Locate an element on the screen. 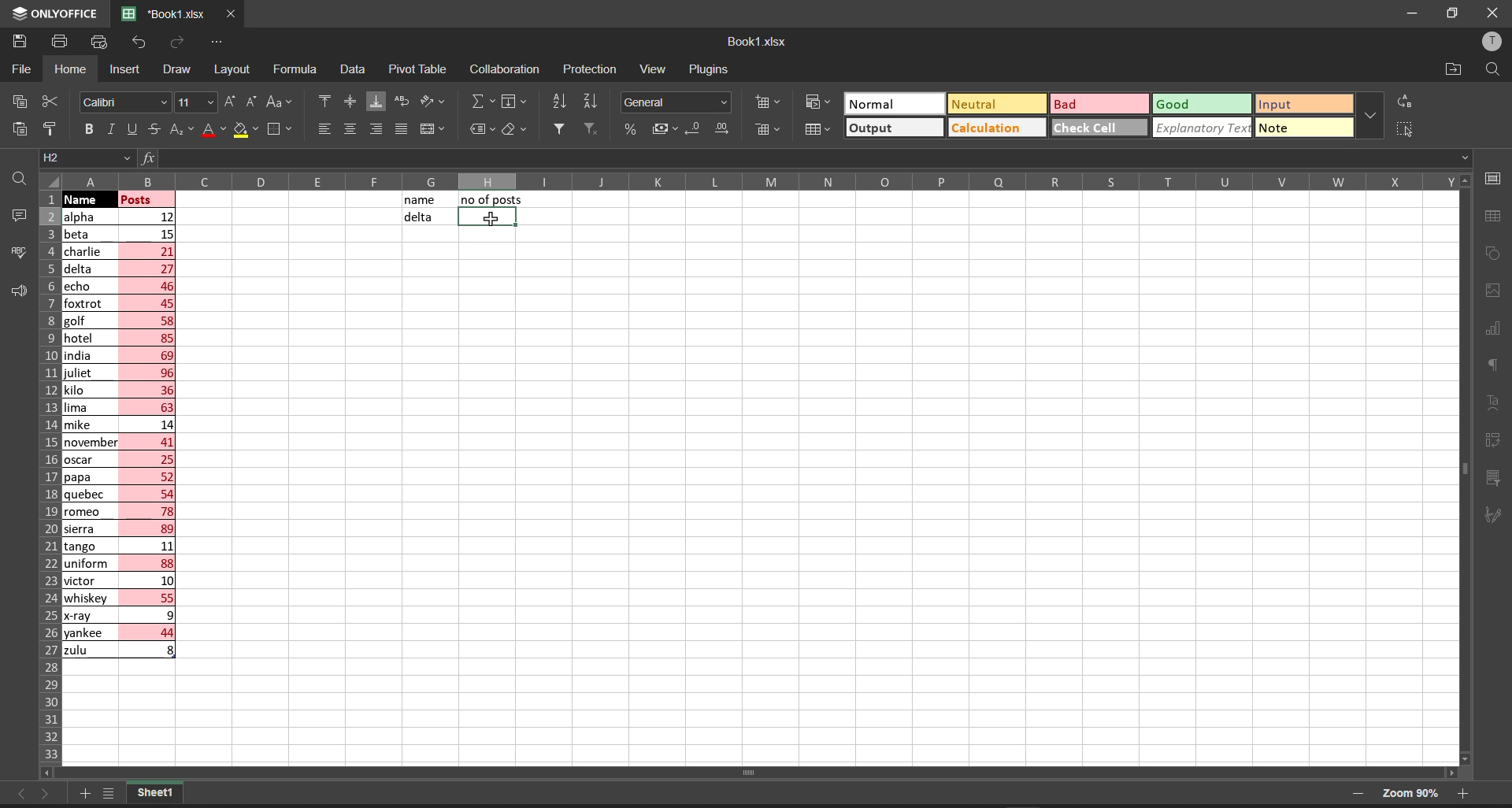  row names is located at coordinates (46, 480).